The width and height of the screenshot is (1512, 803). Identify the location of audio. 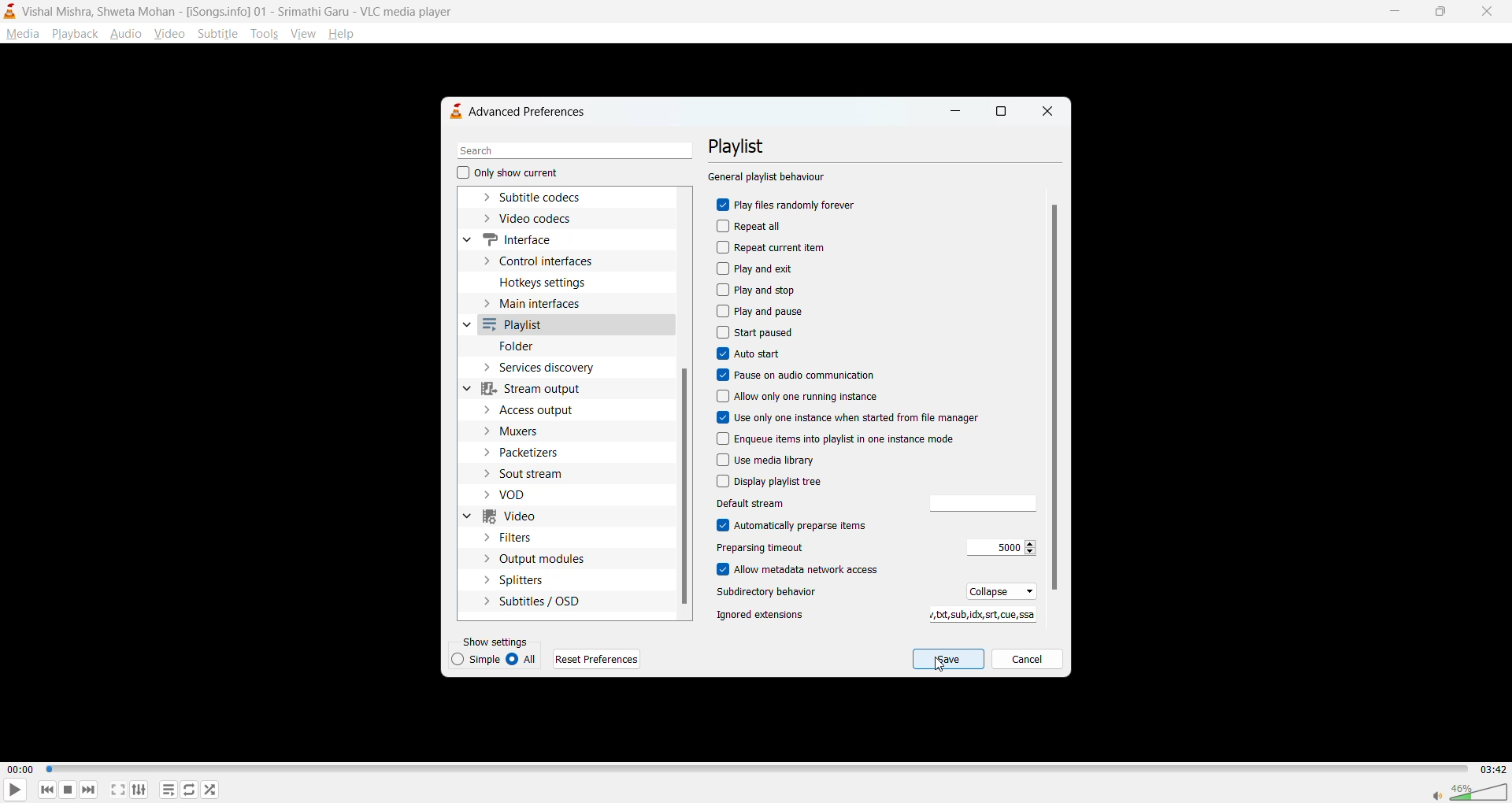
(126, 33).